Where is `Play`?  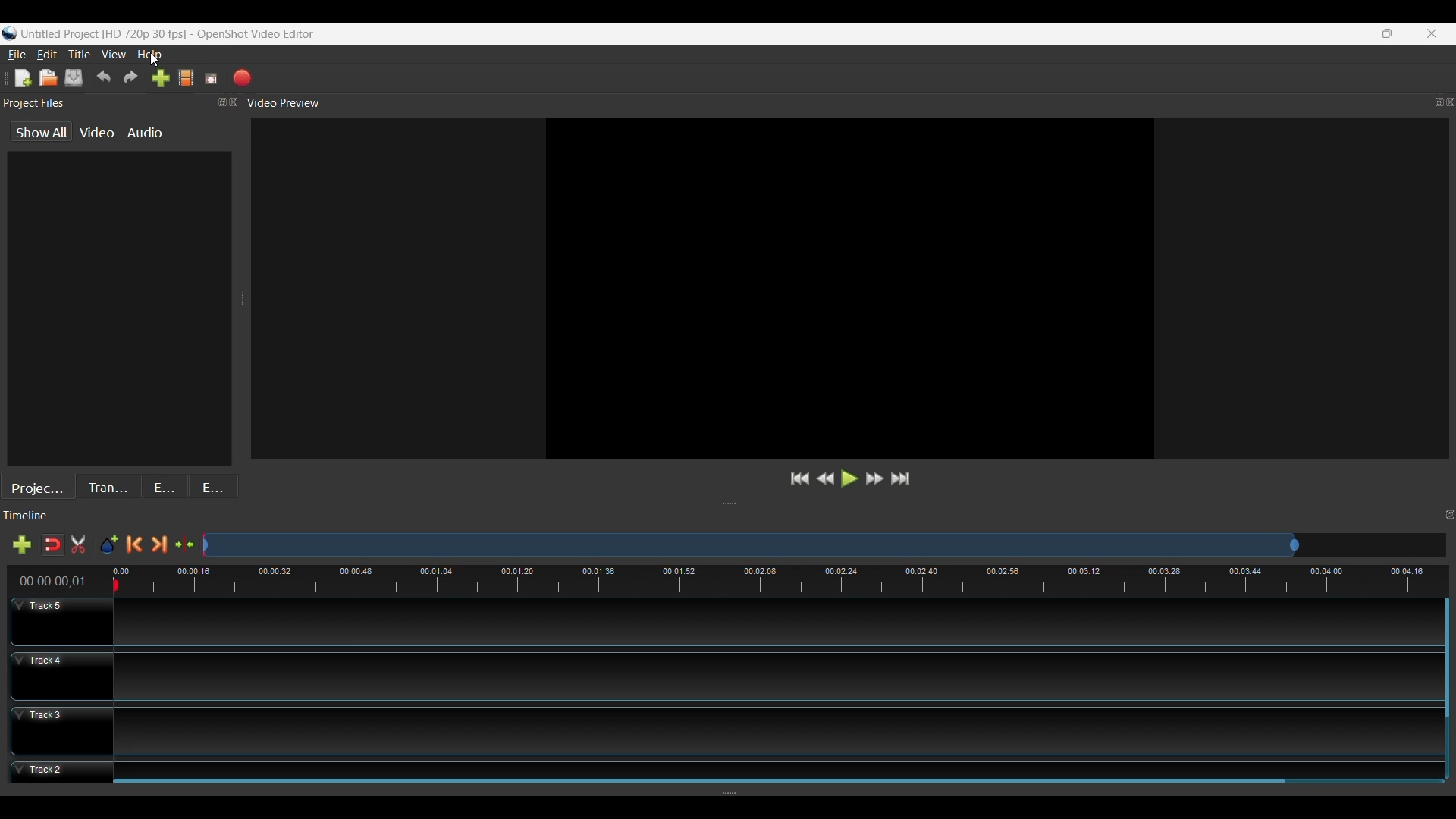
Play is located at coordinates (849, 479).